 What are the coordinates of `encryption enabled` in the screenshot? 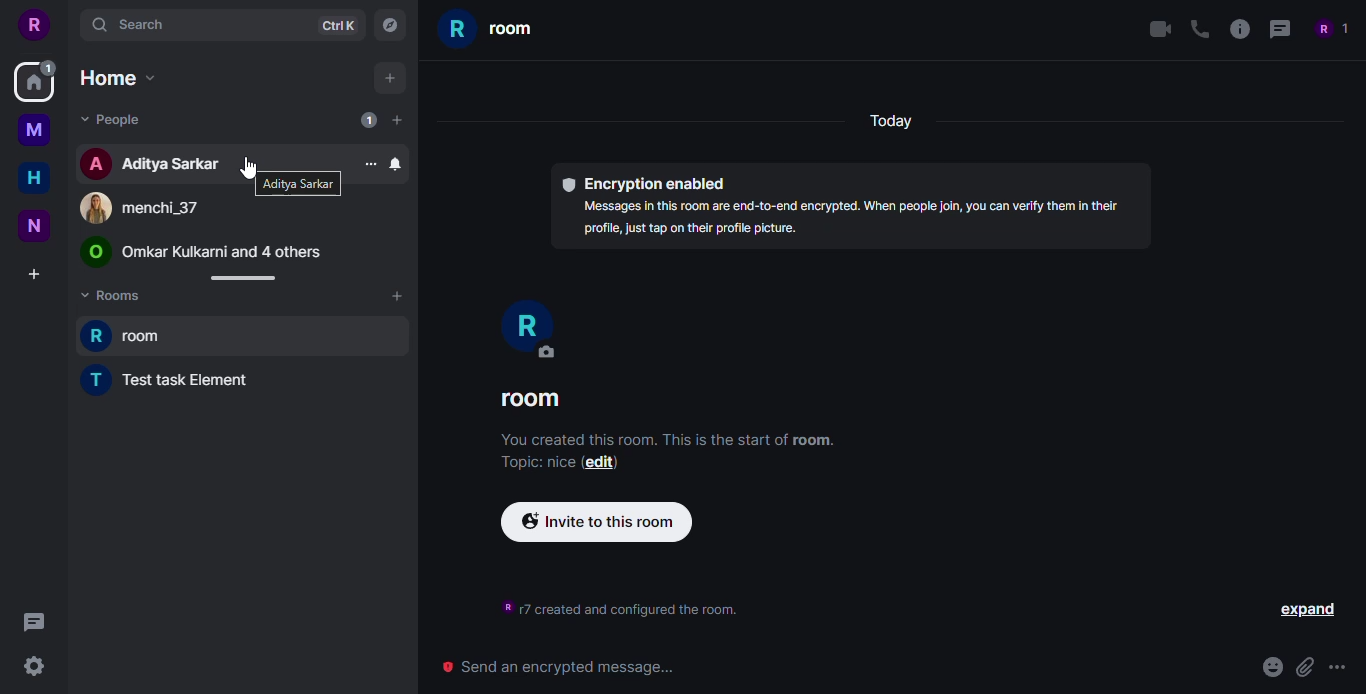 It's located at (644, 183).